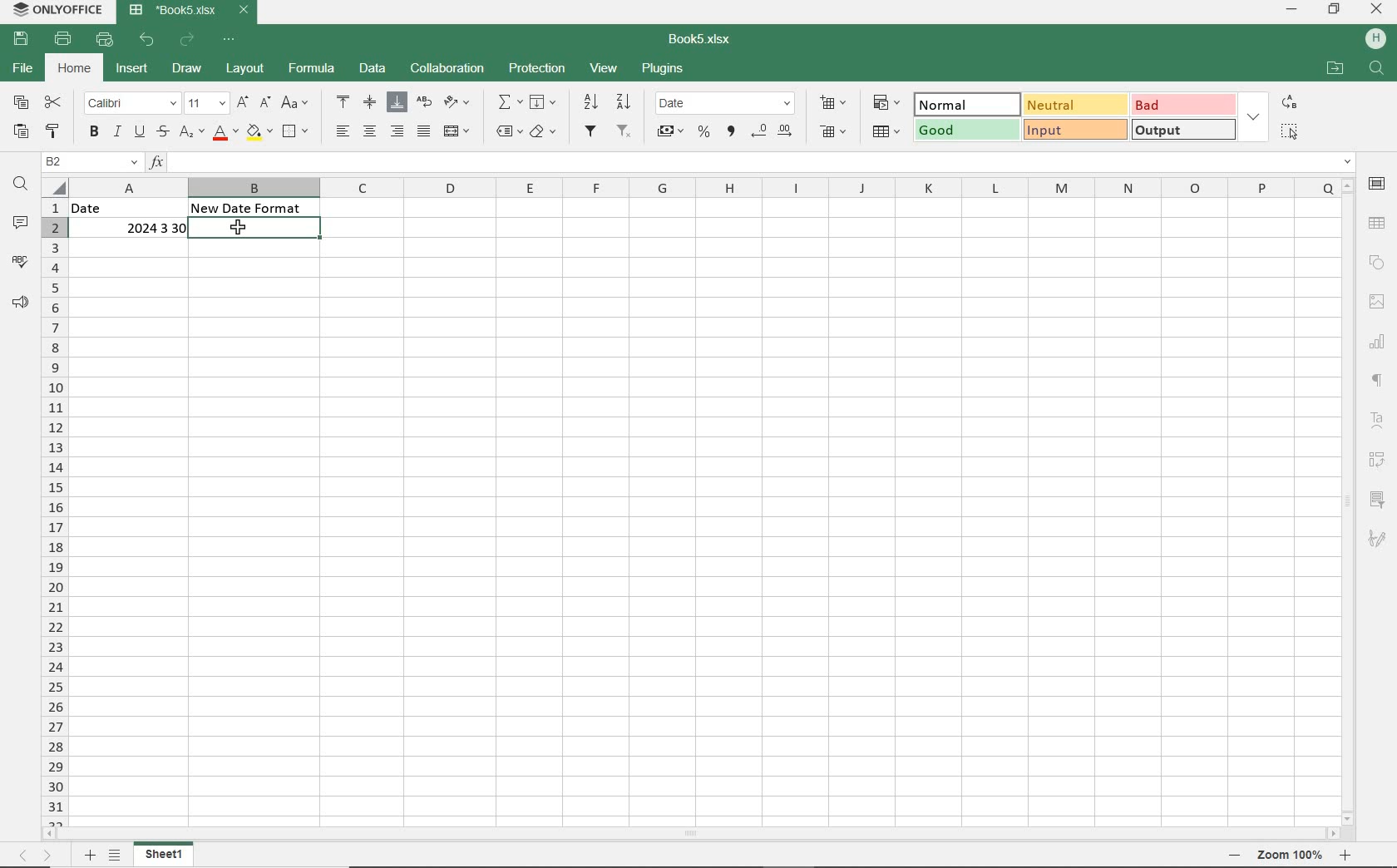 The width and height of the screenshot is (1397, 868). What do you see at coordinates (373, 69) in the screenshot?
I see `DATA` at bounding box center [373, 69].